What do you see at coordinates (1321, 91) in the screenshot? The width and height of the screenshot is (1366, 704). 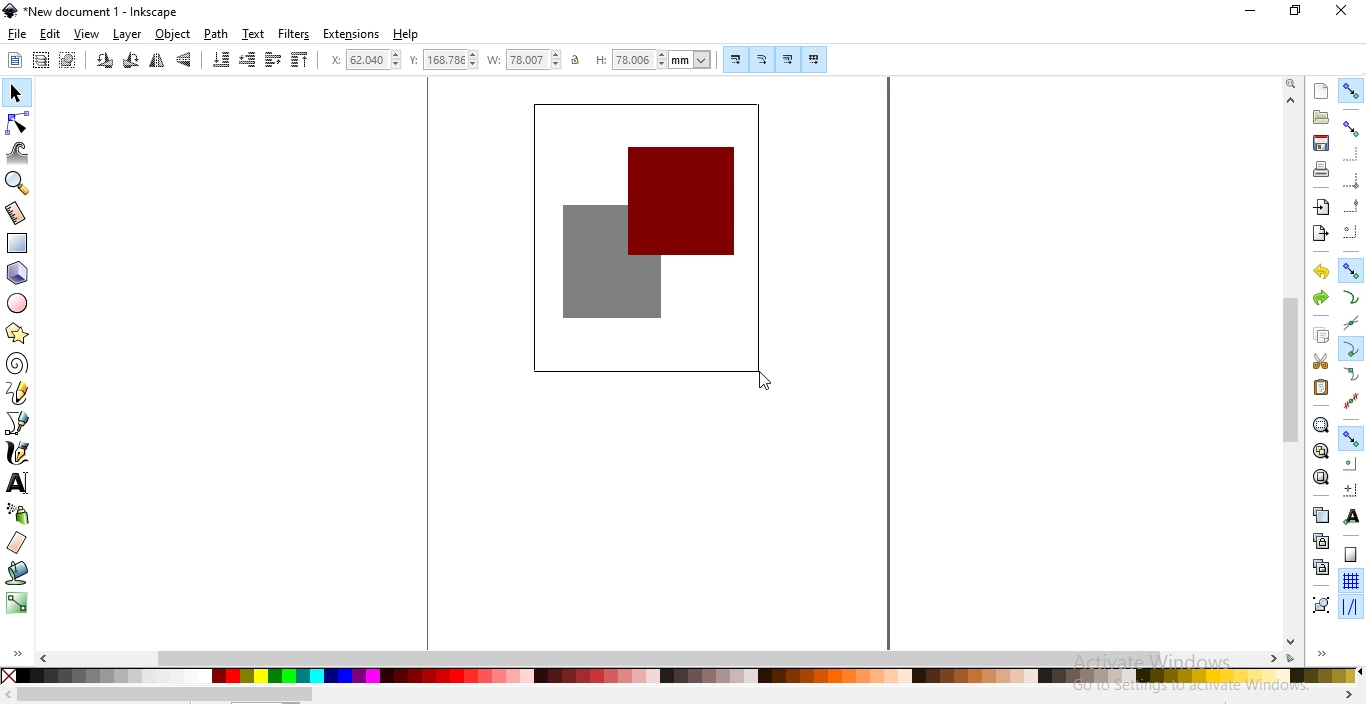 I see `create a document with default background` at bounding box center [1321, 91].